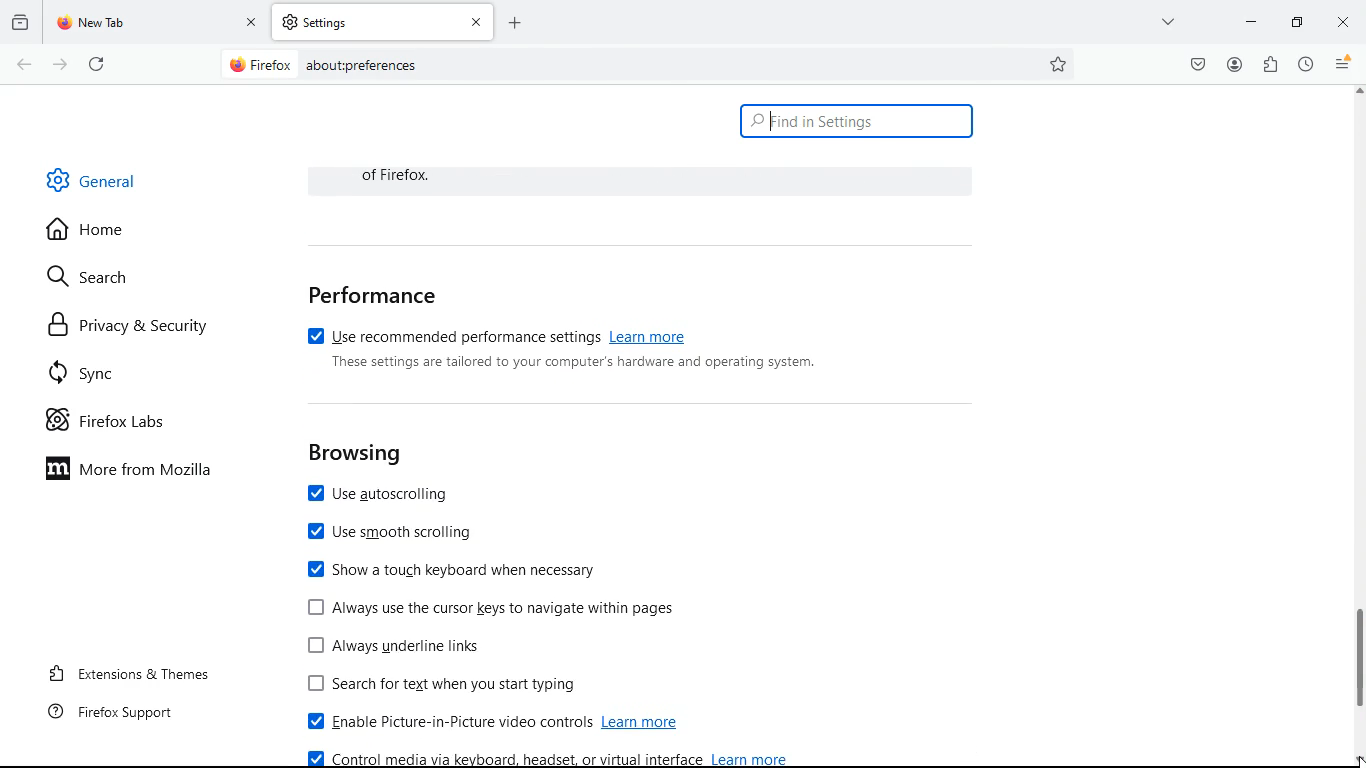 This screenshot has width=1366, height=768. I want to click on about:prefernces, so click(361, 65).